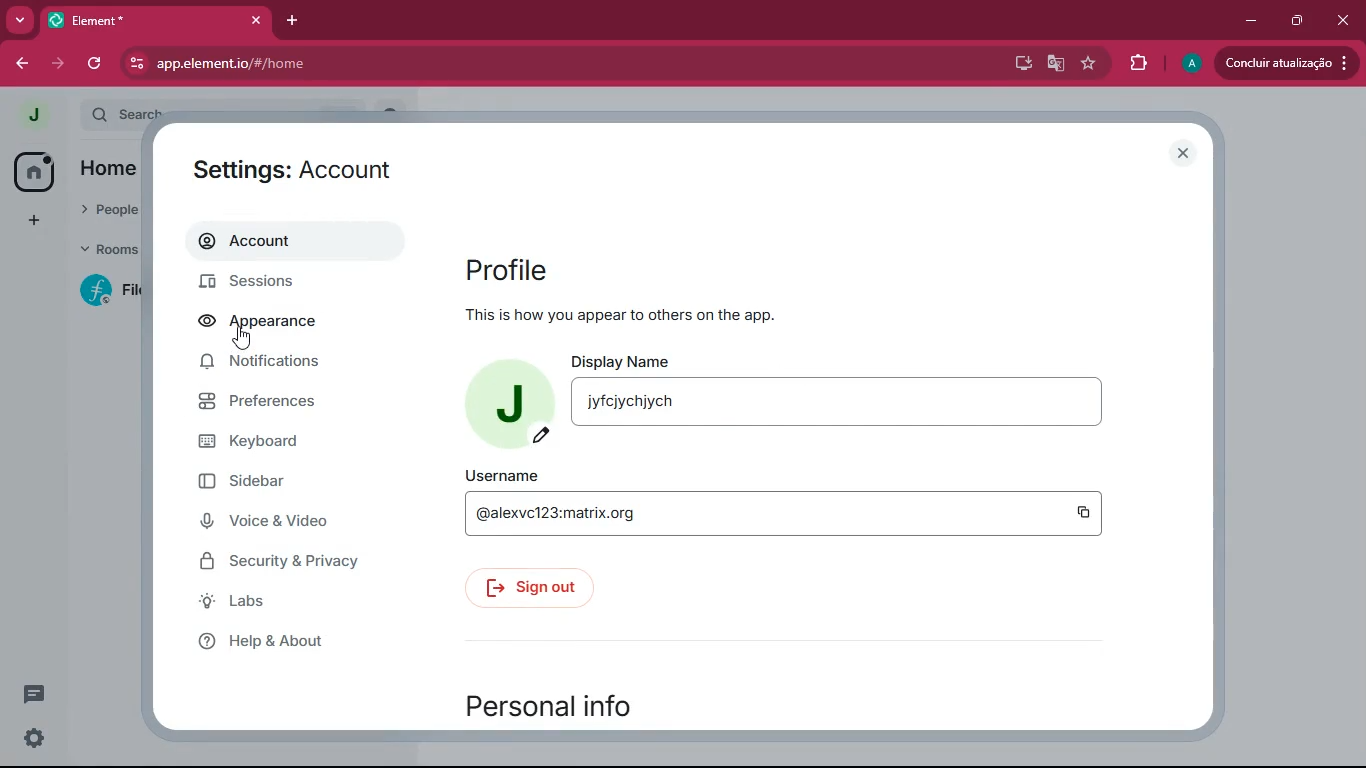 The height and width of the screenshot is (768, 1366). I want to click on This is how you appear to others on the app., so click(620, 317).